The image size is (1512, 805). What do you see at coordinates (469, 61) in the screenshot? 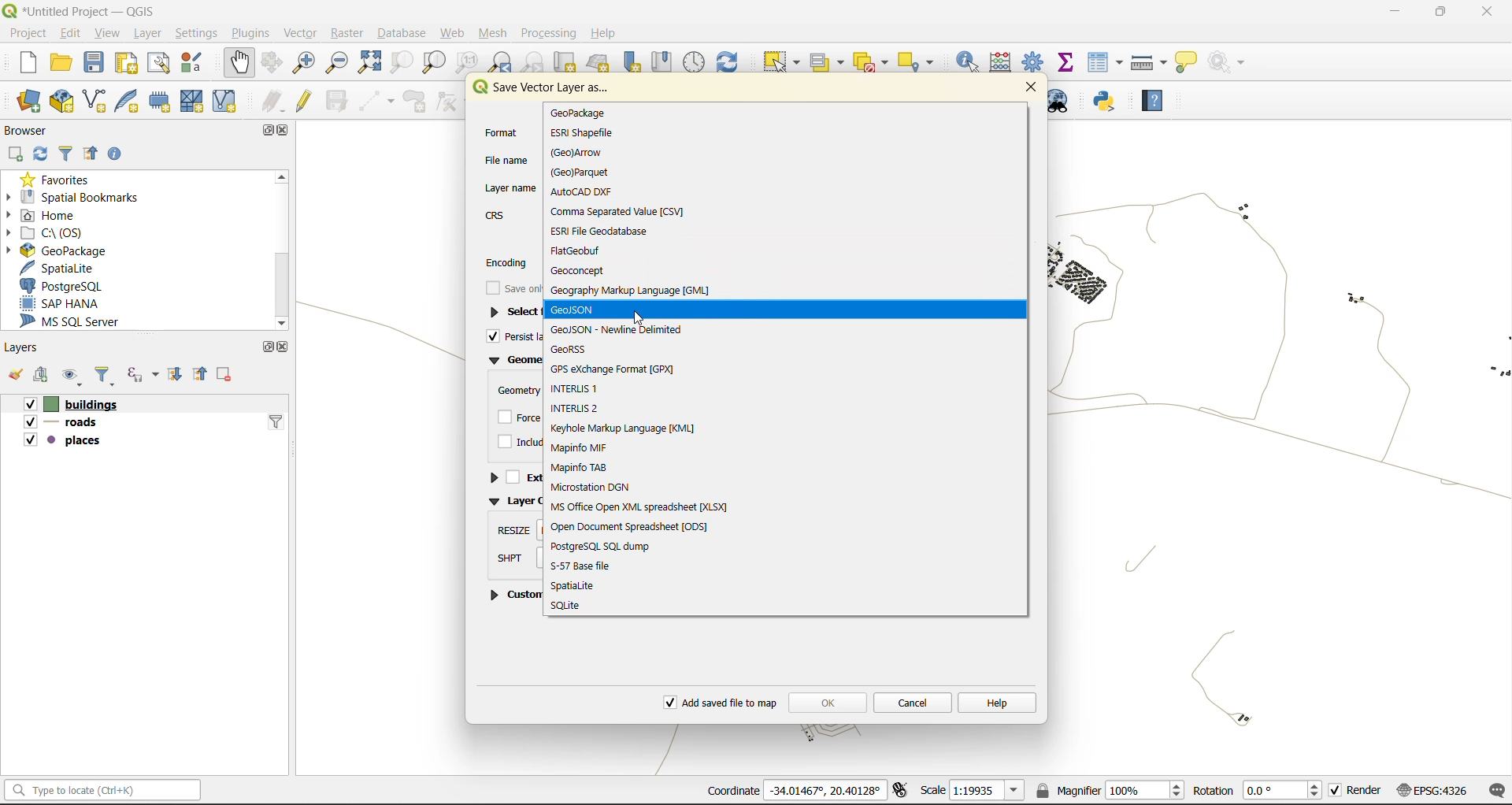
I see `zoom native` at bounding box center [469, 61].